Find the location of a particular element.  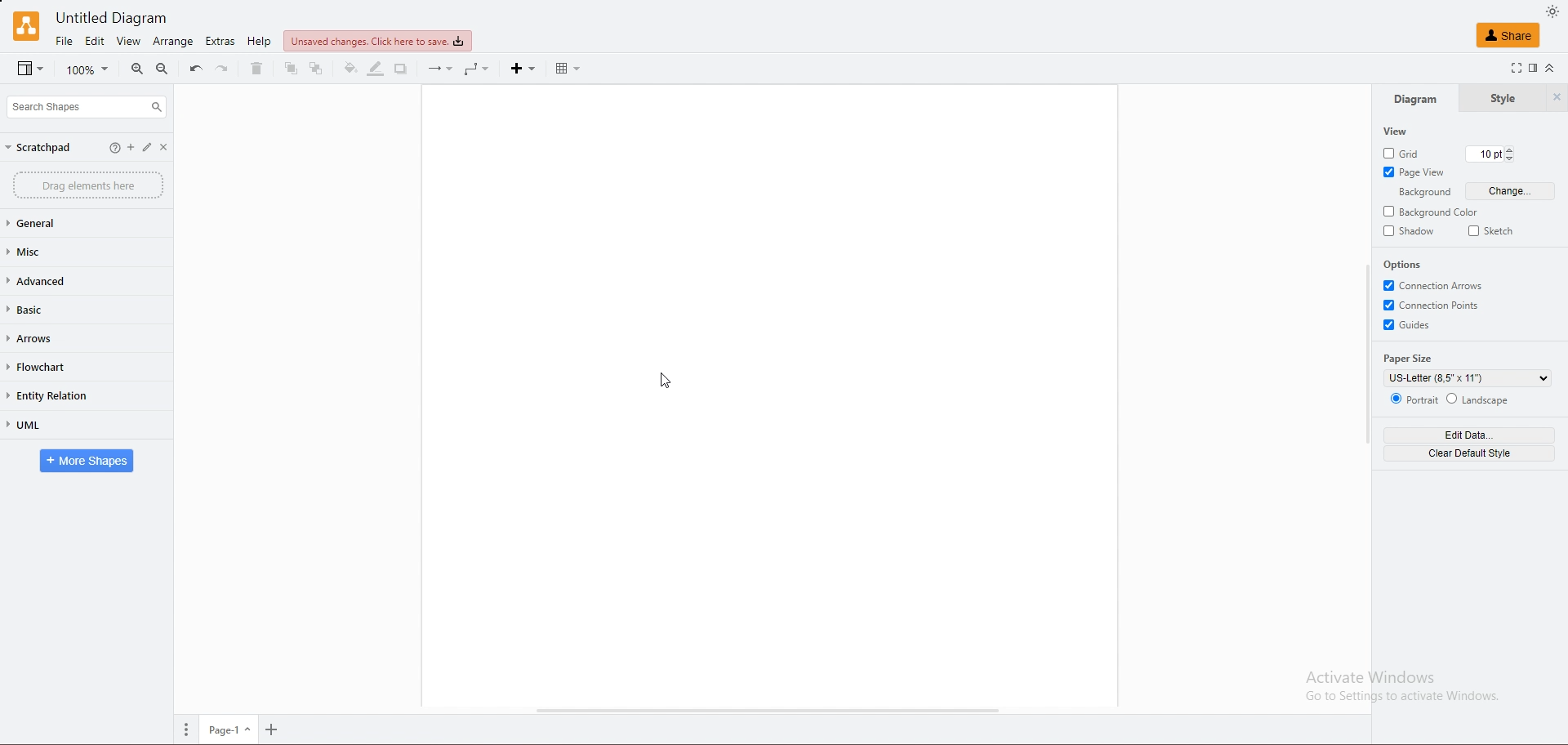

connection is located at coordinates (440, 69).